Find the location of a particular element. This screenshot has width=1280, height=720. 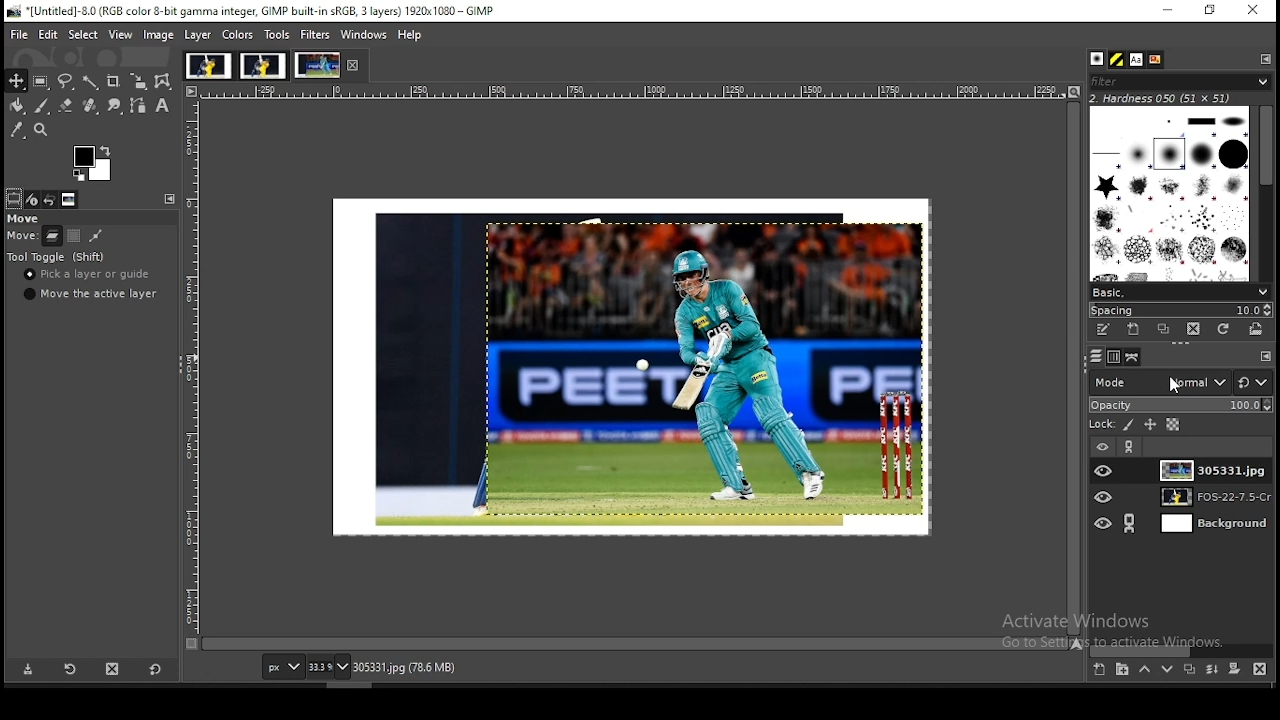

layers is located at coordinates (1096, 357).